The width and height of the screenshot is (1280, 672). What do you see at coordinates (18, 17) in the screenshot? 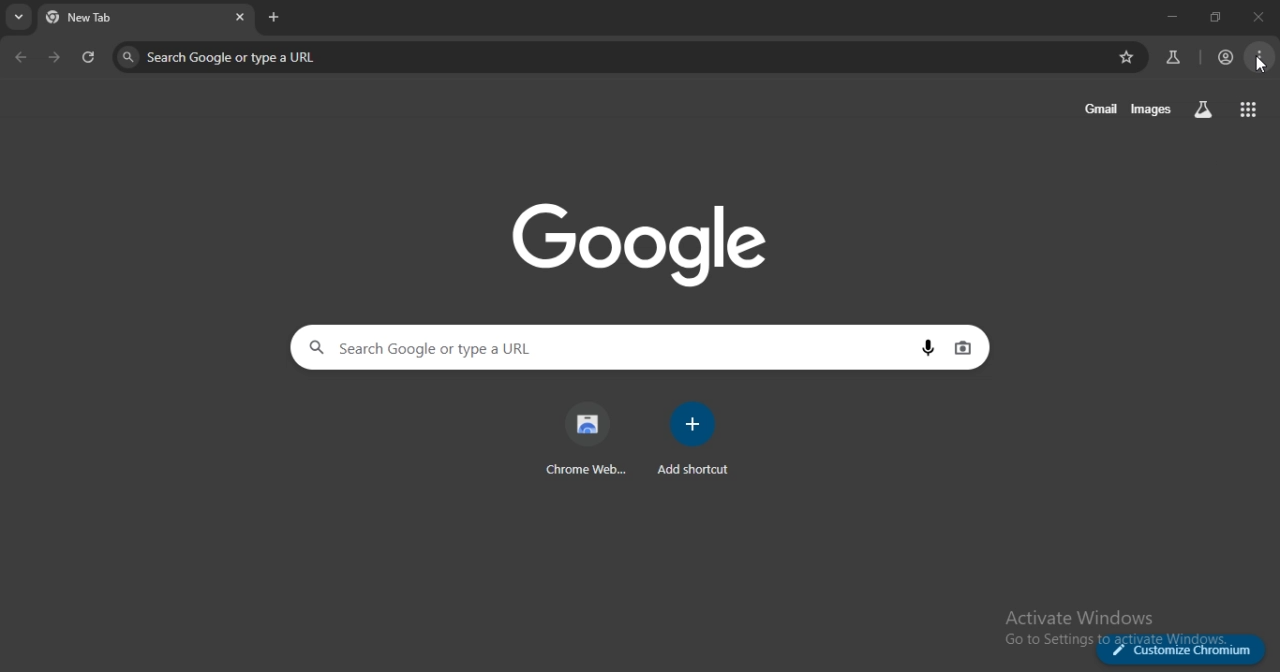
I see `search tabs` at bounding box center [18, 17].